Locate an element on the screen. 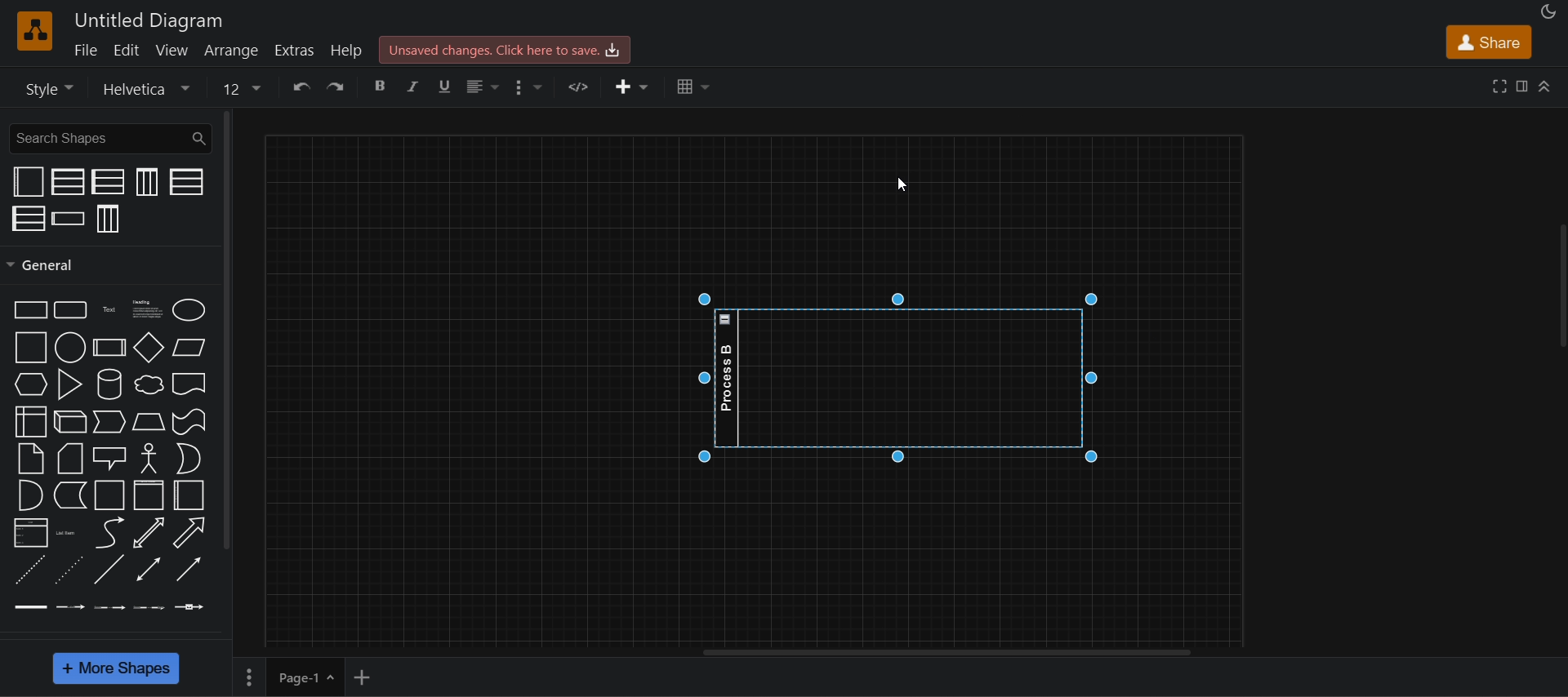 The width and height of the screenshot is (1568, 697). vertical pool 3 is located at coordinates (109, 219).